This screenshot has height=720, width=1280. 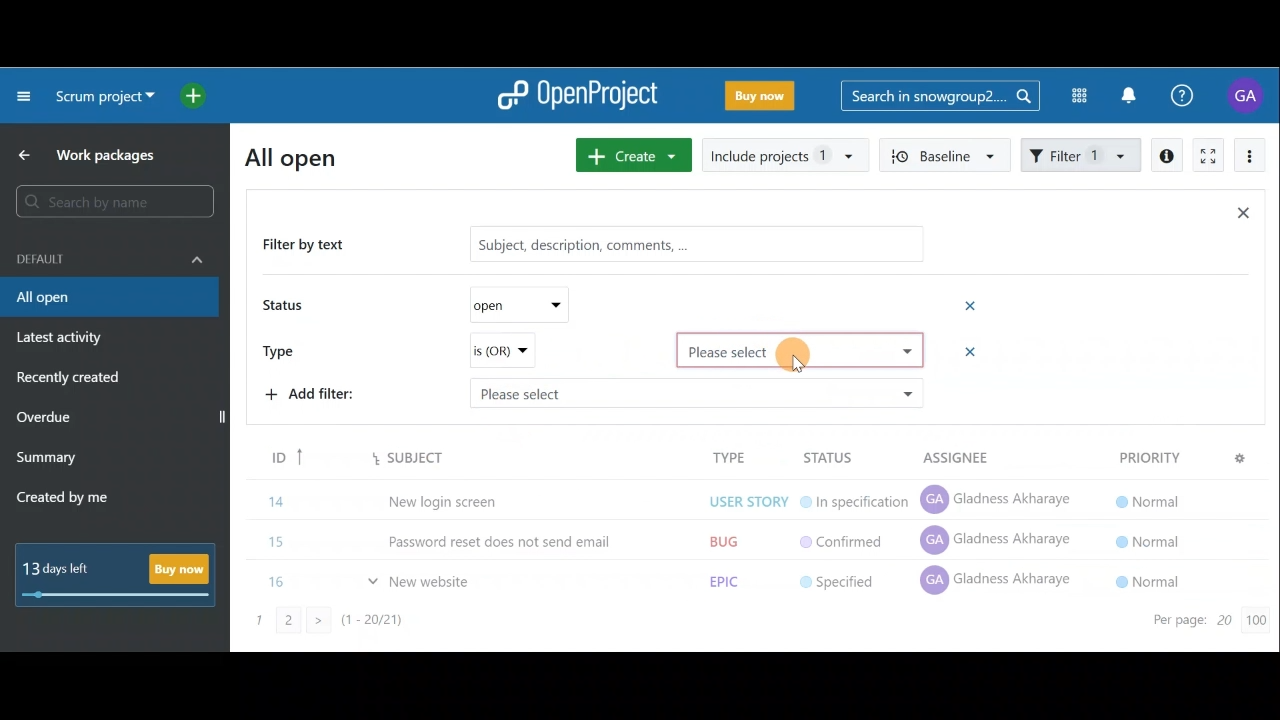 I want to click on Notification center, so click(x=1131, y=93).